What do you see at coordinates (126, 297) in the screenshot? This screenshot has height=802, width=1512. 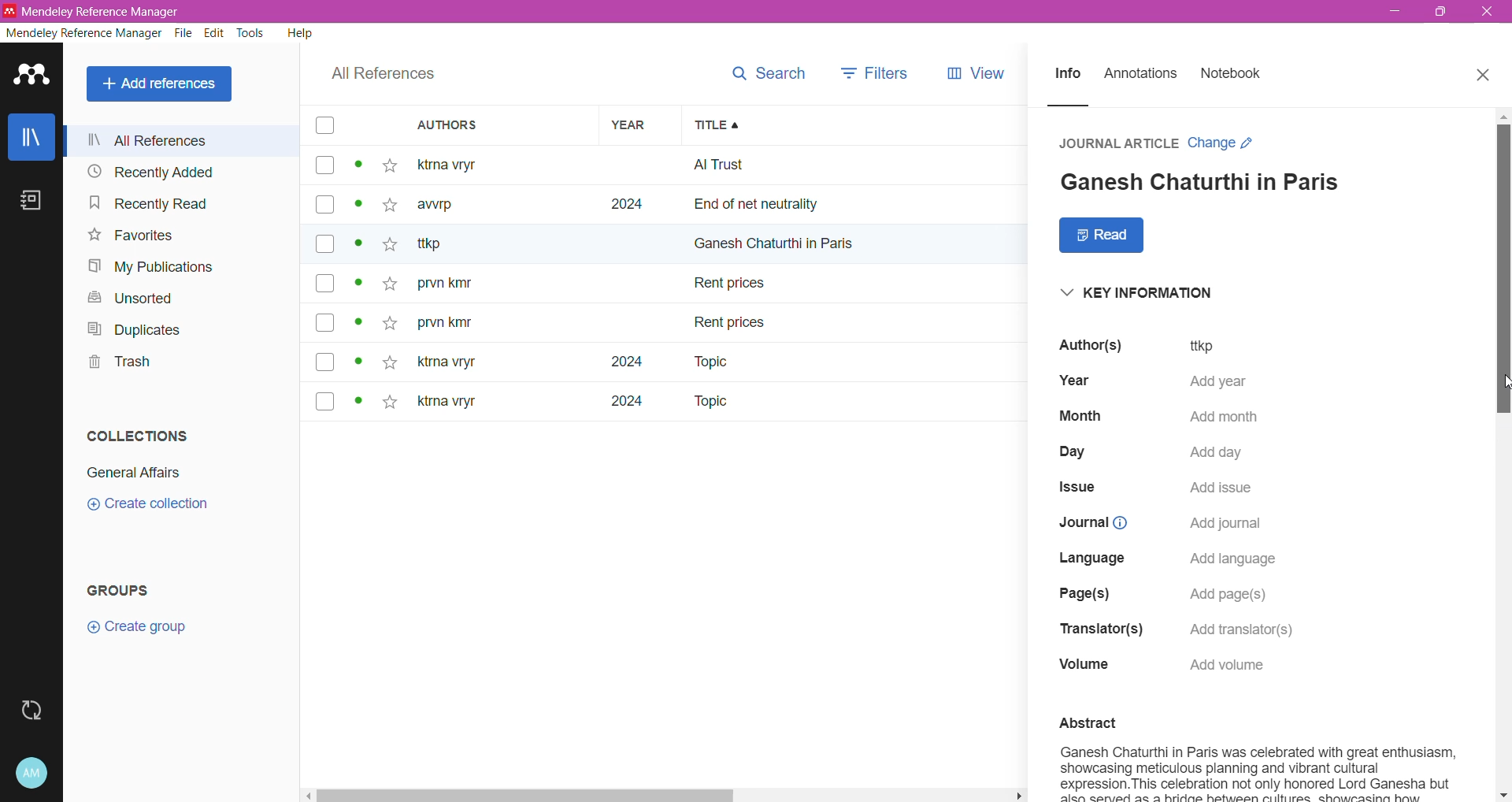 I see `Unsorted` at bounding box center [126, 297].